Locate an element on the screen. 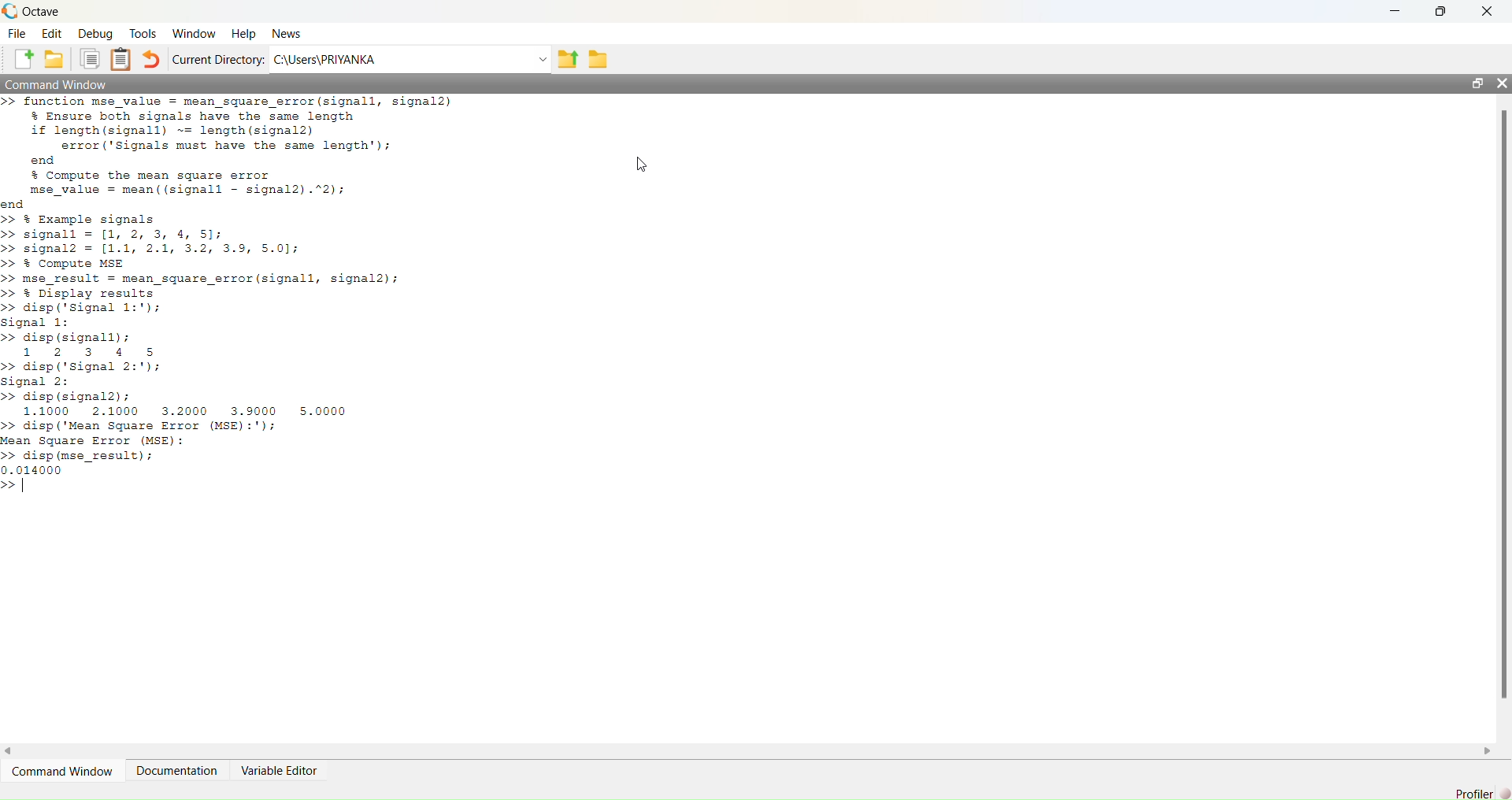  undo is located at coordinates (151, 60).